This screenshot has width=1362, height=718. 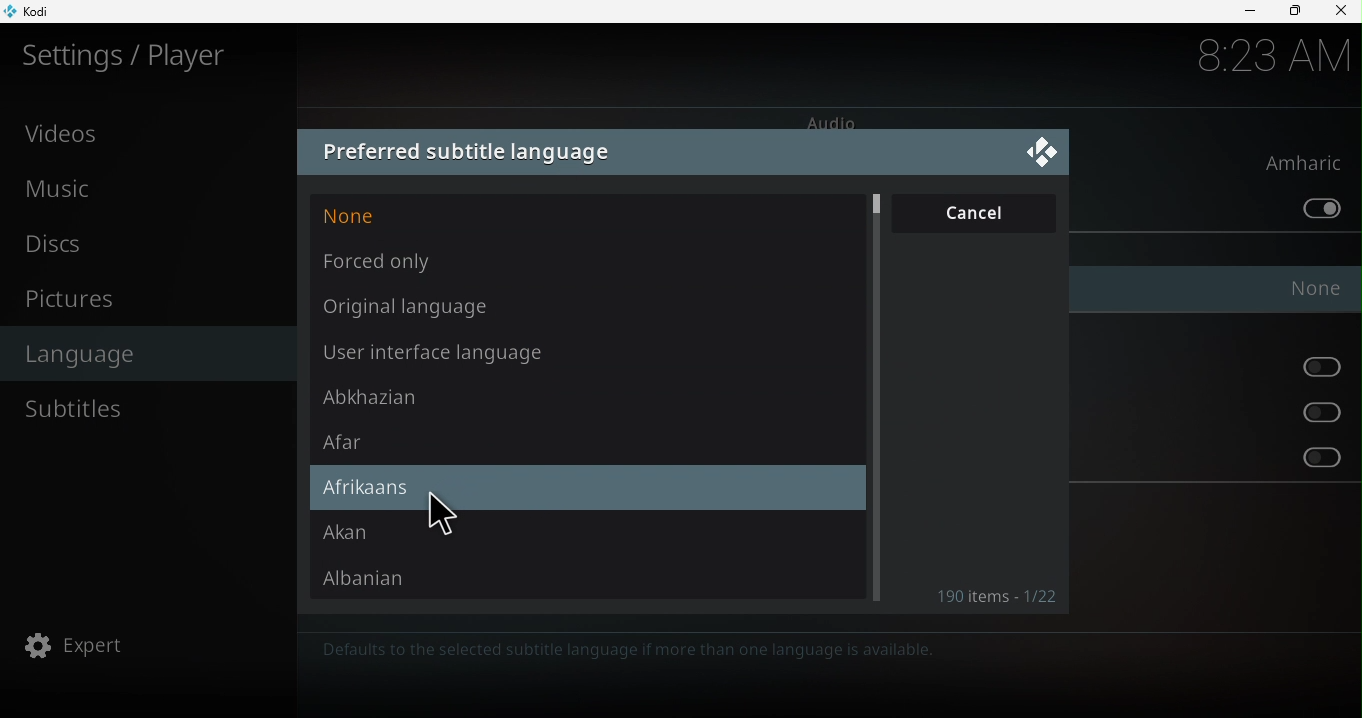 What do you see at coordinates (1304, 458) in the screenshot?
I see `Prefer subtitles for the hearing impaired` at bounding box center [1304, 458].